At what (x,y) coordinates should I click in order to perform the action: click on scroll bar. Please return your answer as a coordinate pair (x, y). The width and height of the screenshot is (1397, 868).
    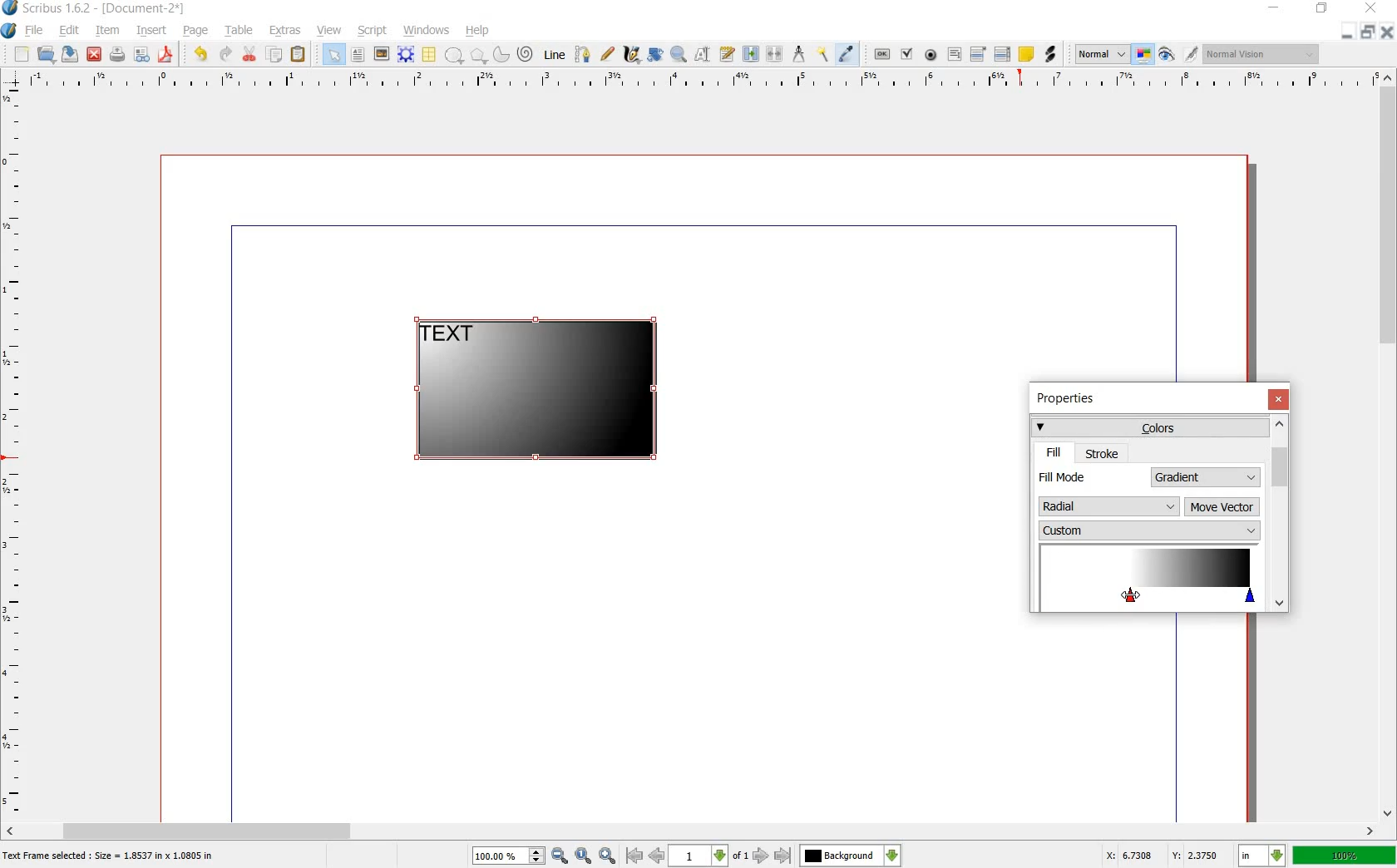
    Looking at the image, I should click on (692, 830).